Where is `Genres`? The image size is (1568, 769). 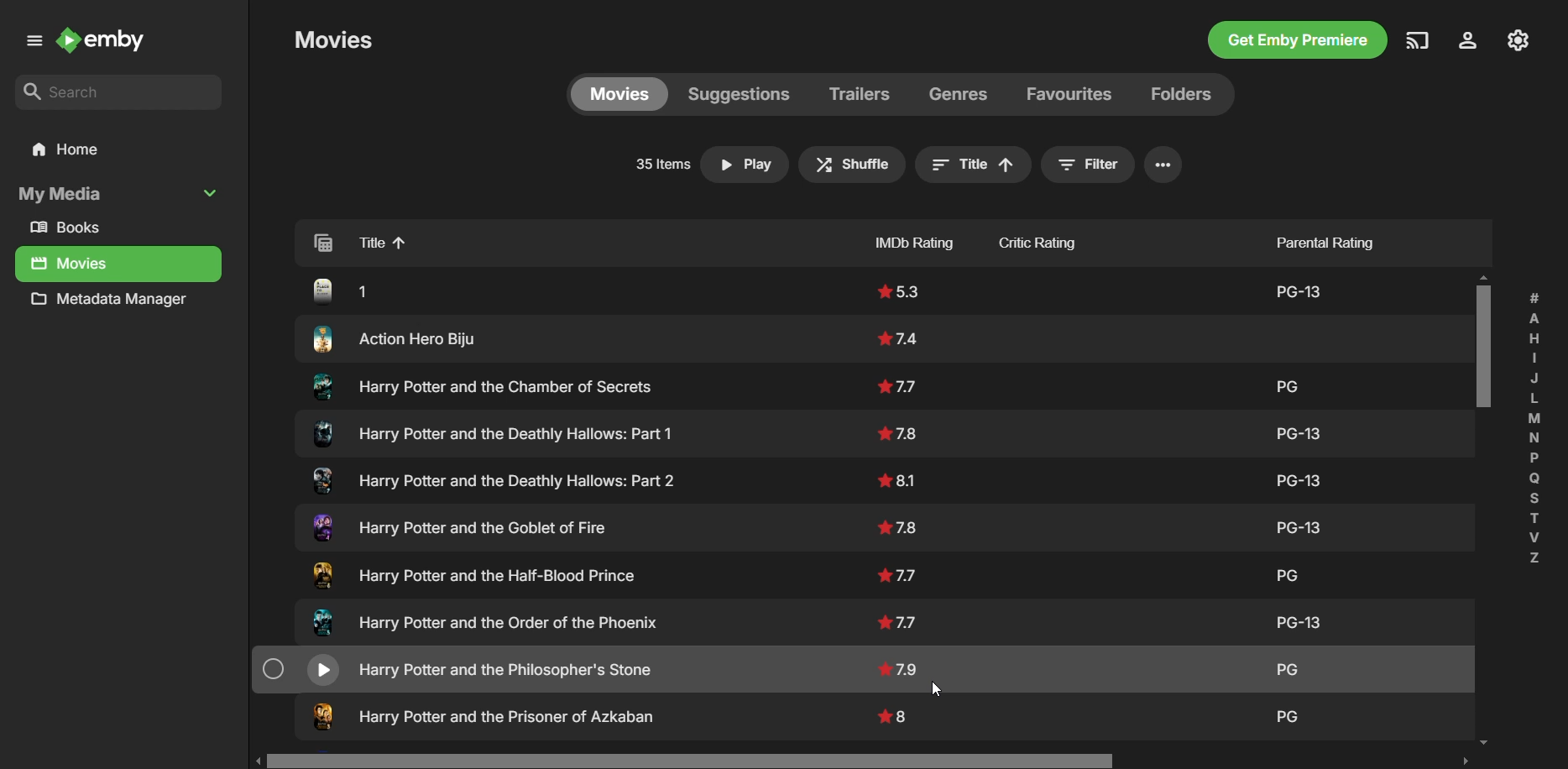
Genres is located at coordinates (962, 93).